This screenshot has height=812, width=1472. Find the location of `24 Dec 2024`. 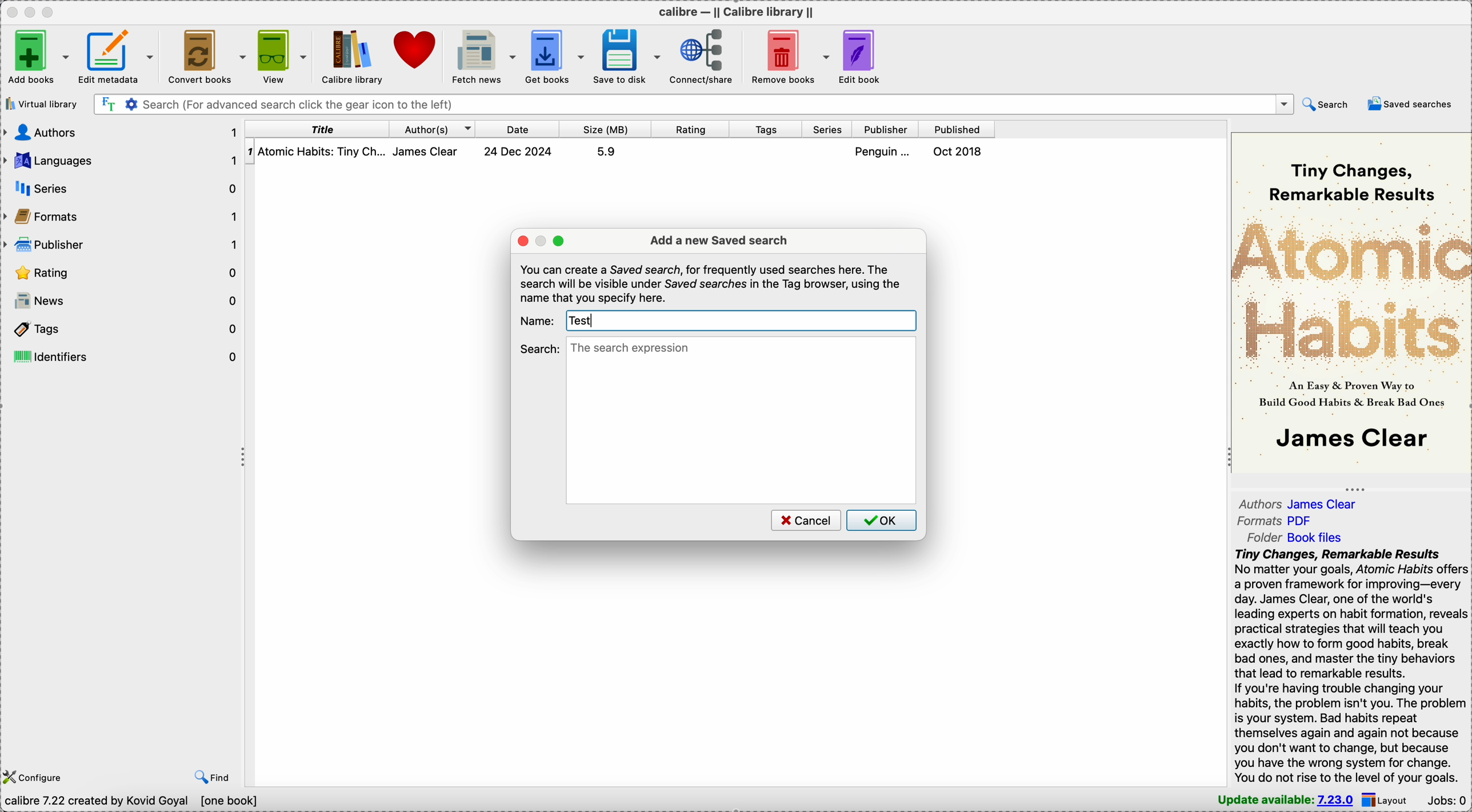

24 Dec 2024 is located at coordinates (518, 151).